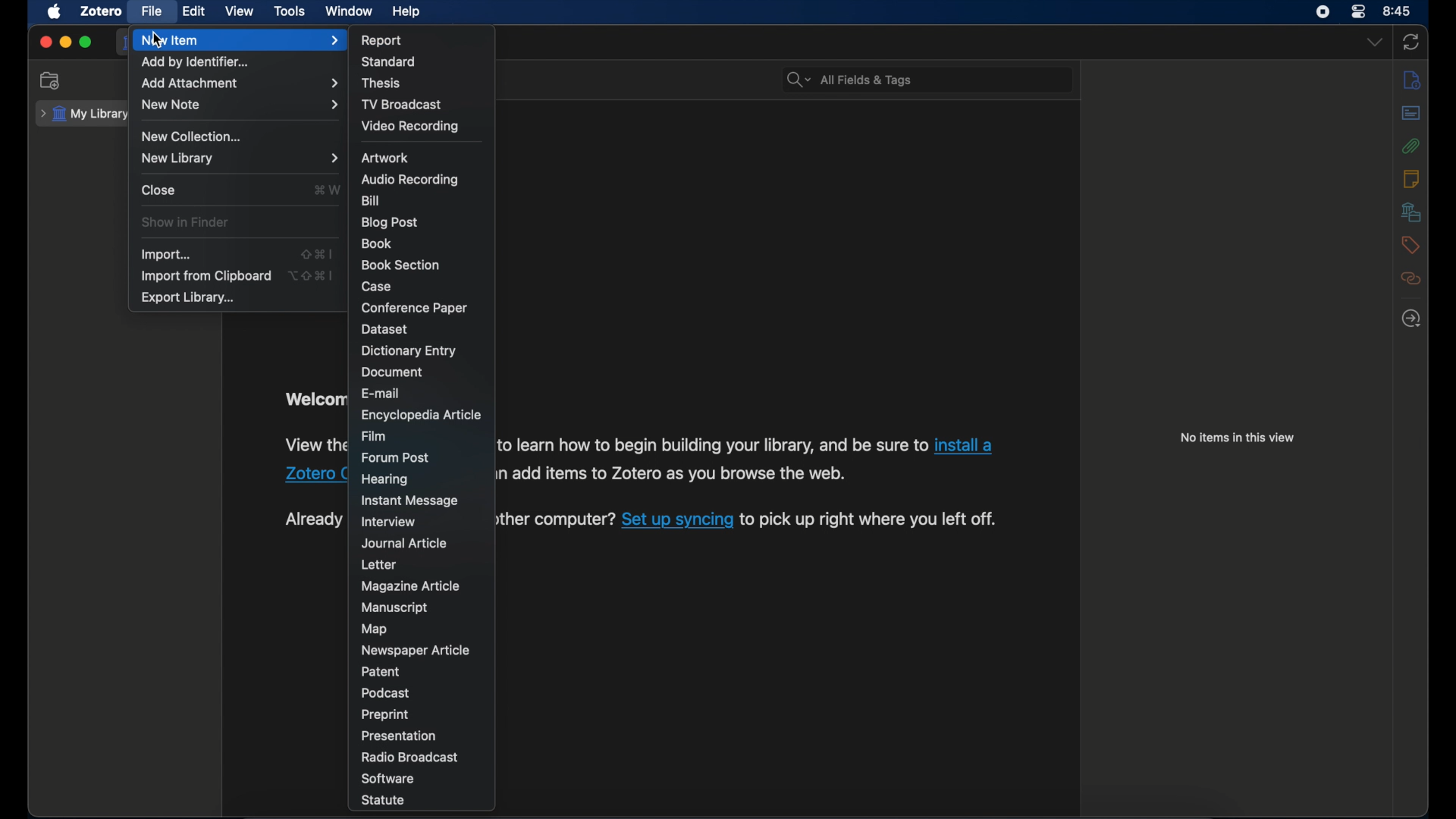 The height and width of the screenshot is (819, 1456). What do you see at coordinates (240, 83) in the screenshot?
I see `add attachment` at bounding box center [240, 83].